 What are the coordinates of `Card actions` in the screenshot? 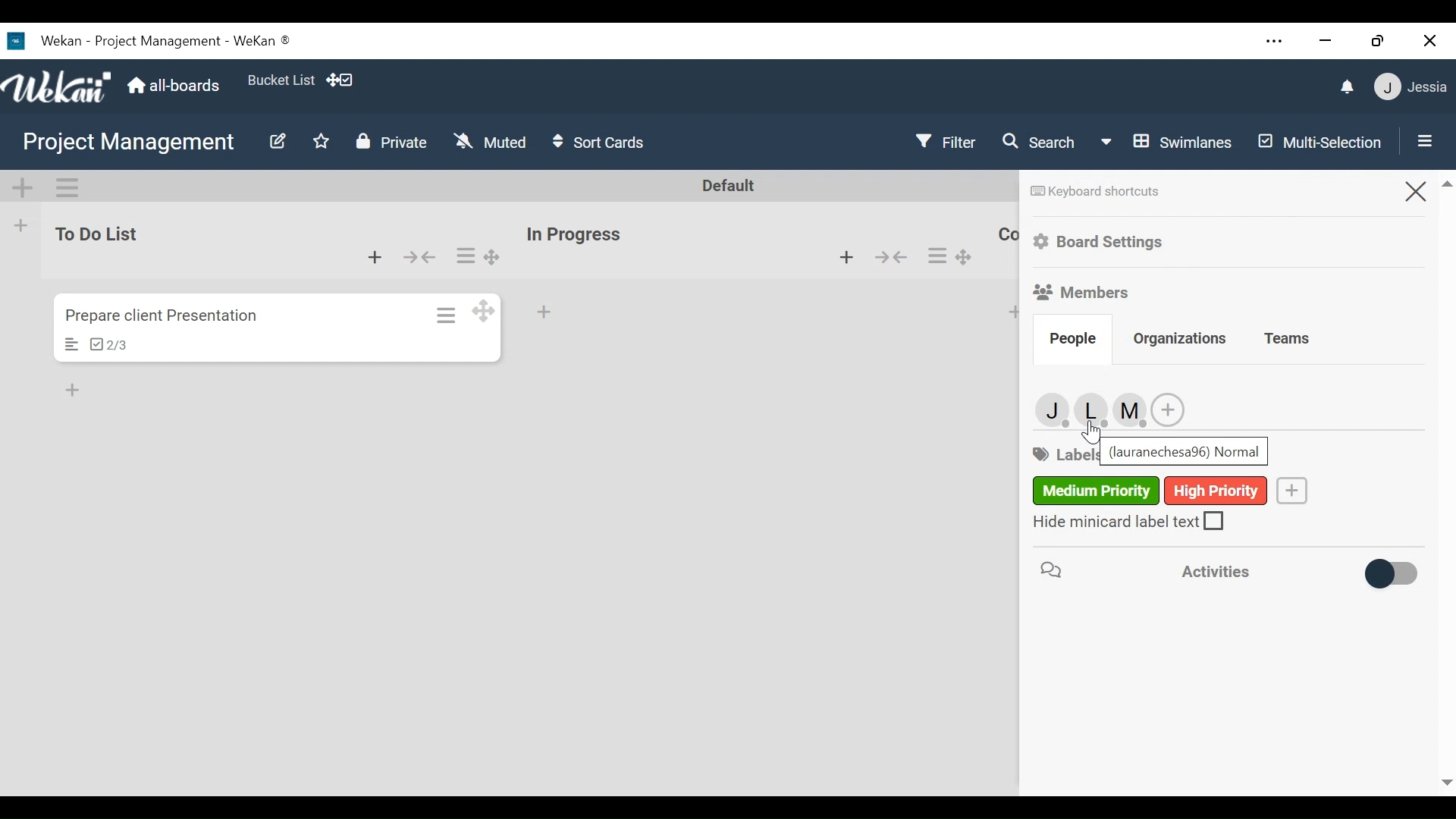 It's located at (936, 256).